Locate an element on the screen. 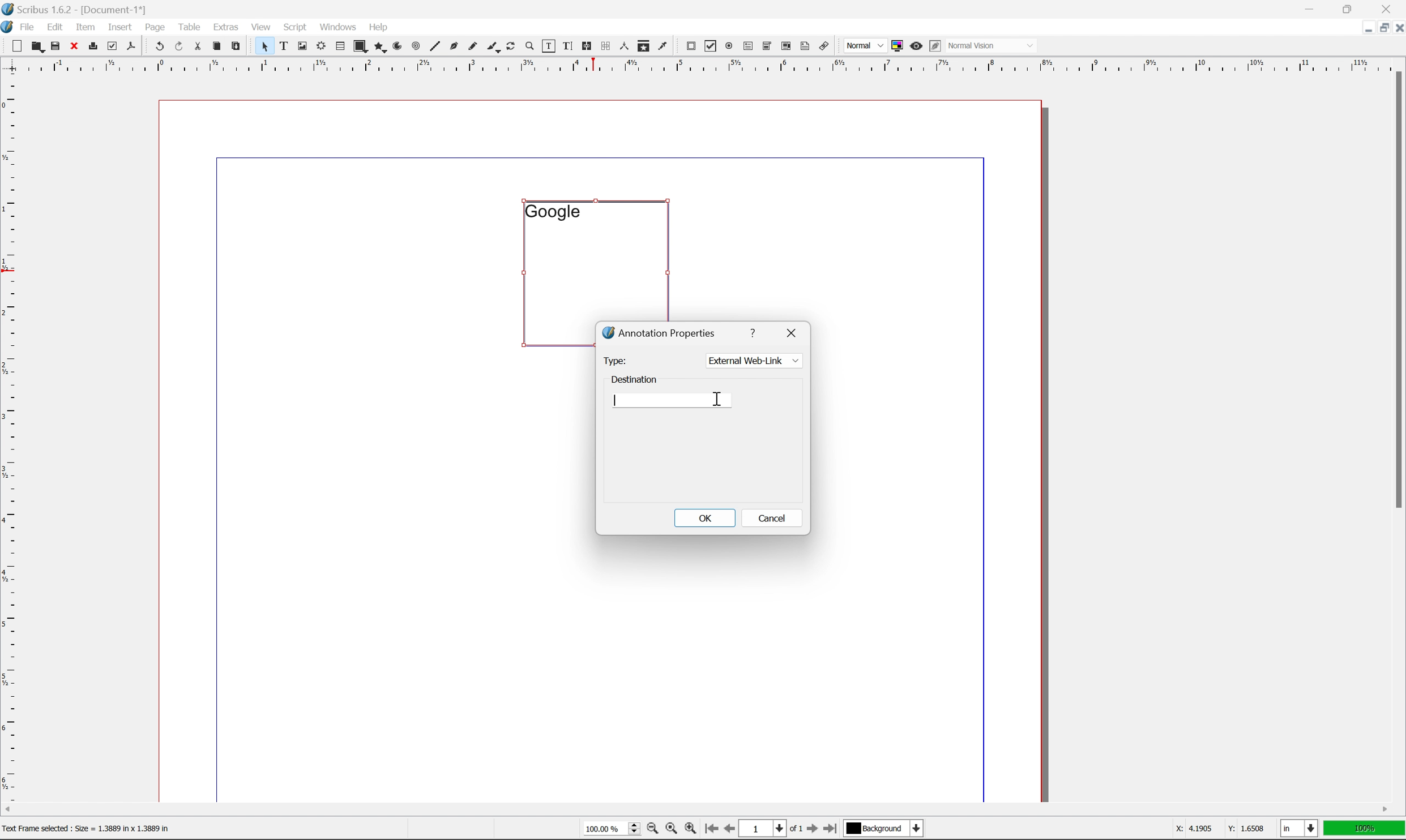  pdf list box is located at coordinates (785, 48).